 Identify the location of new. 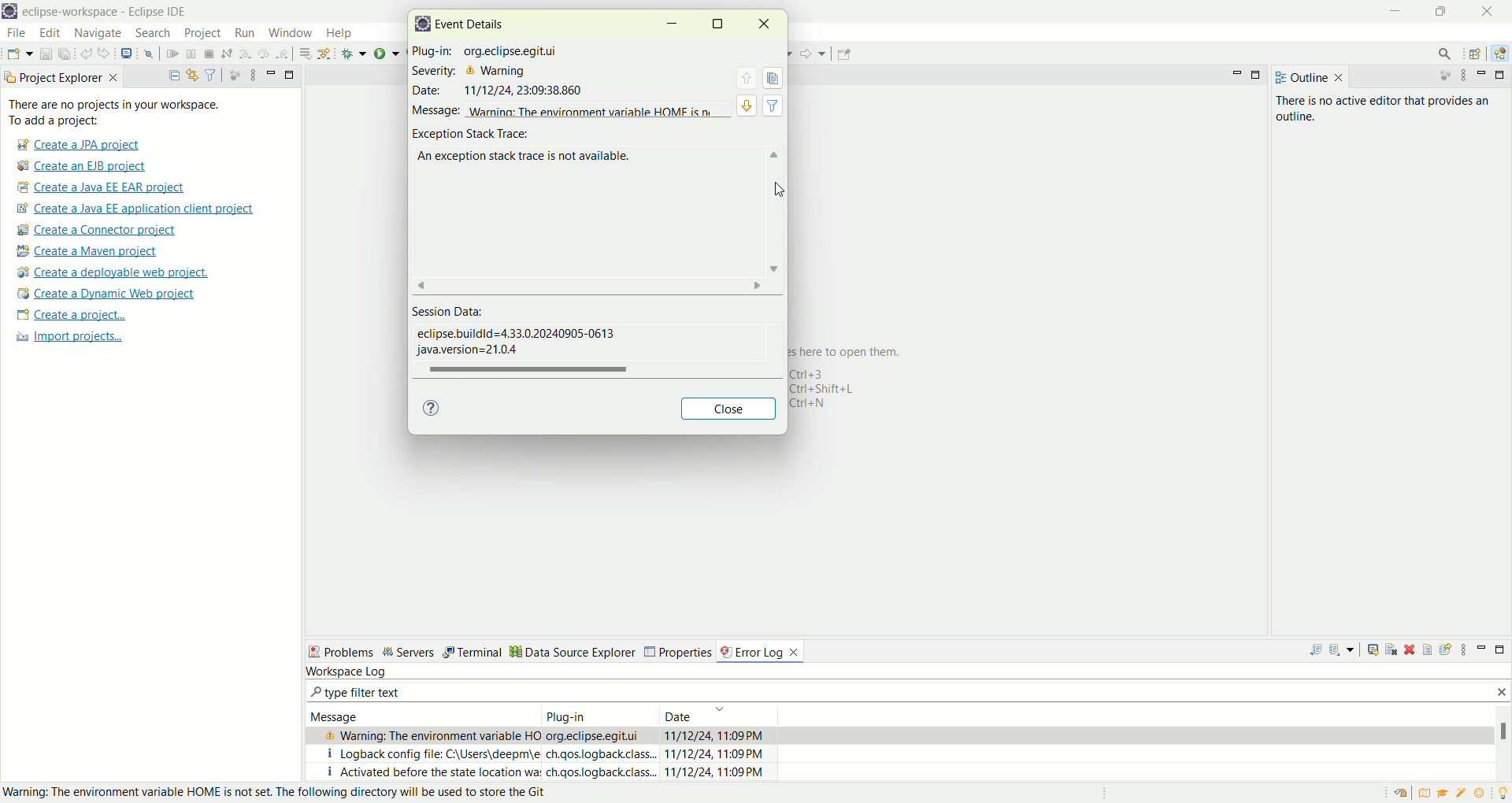
(18, 54).